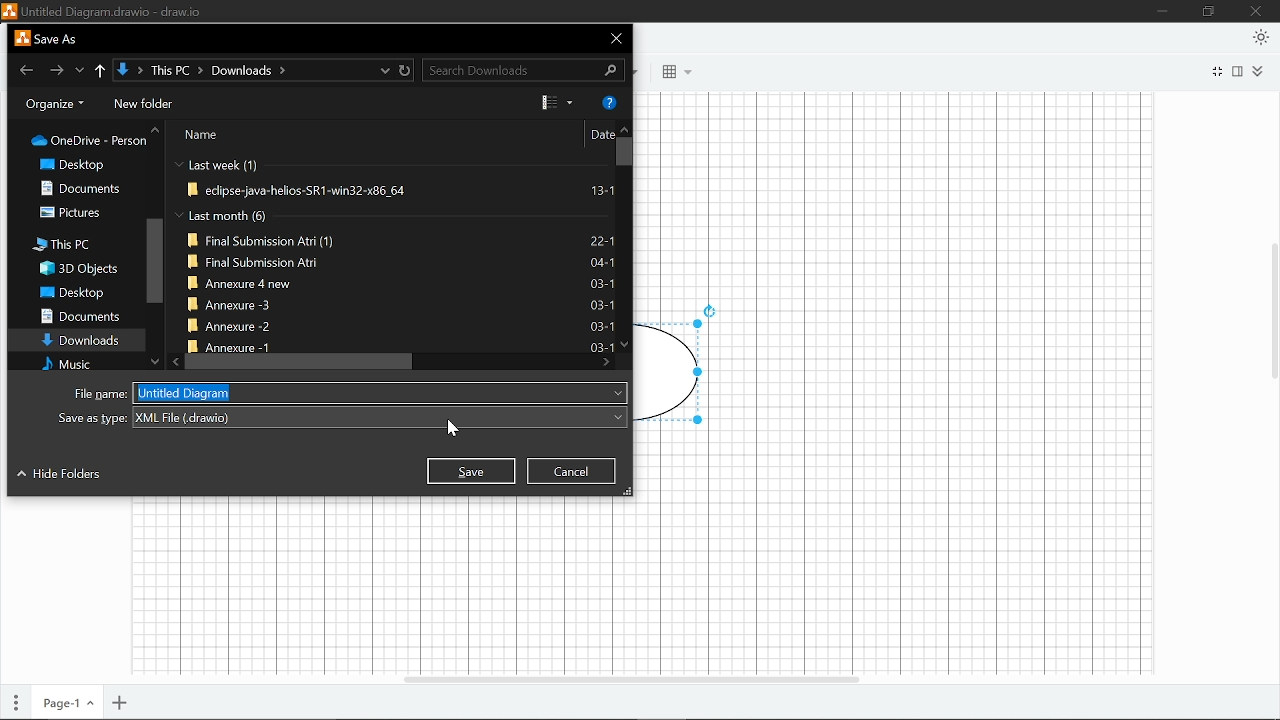 The height and width of the screenshot is (720, 1280). What do you see at coordinates (623, 344) in the screenshot?
I see `Move down in files in "Downloads"` at bounding box center [623, 344].